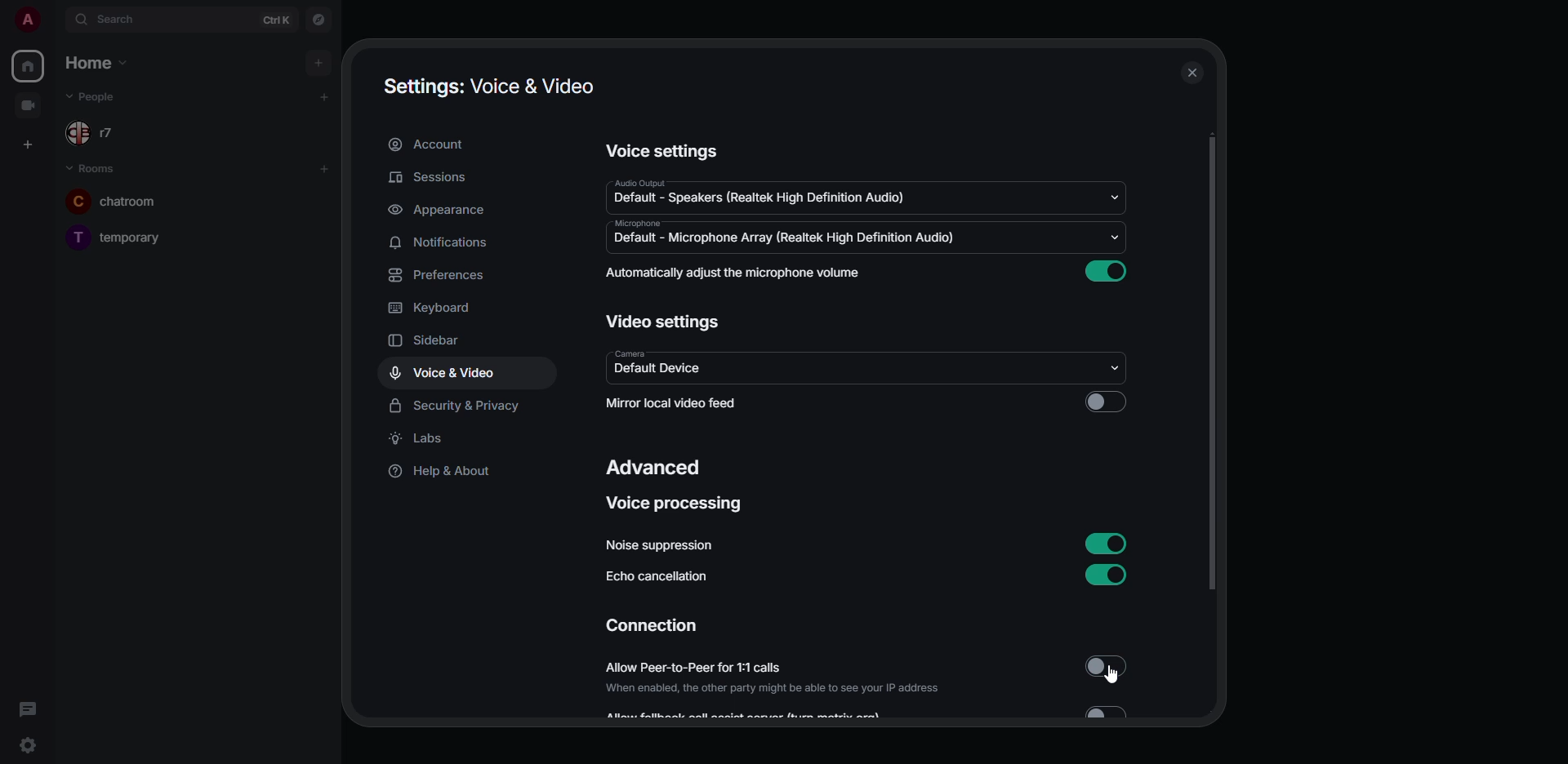 The image size is (1568, 764). I want to click on navigator, so click(317, 20).